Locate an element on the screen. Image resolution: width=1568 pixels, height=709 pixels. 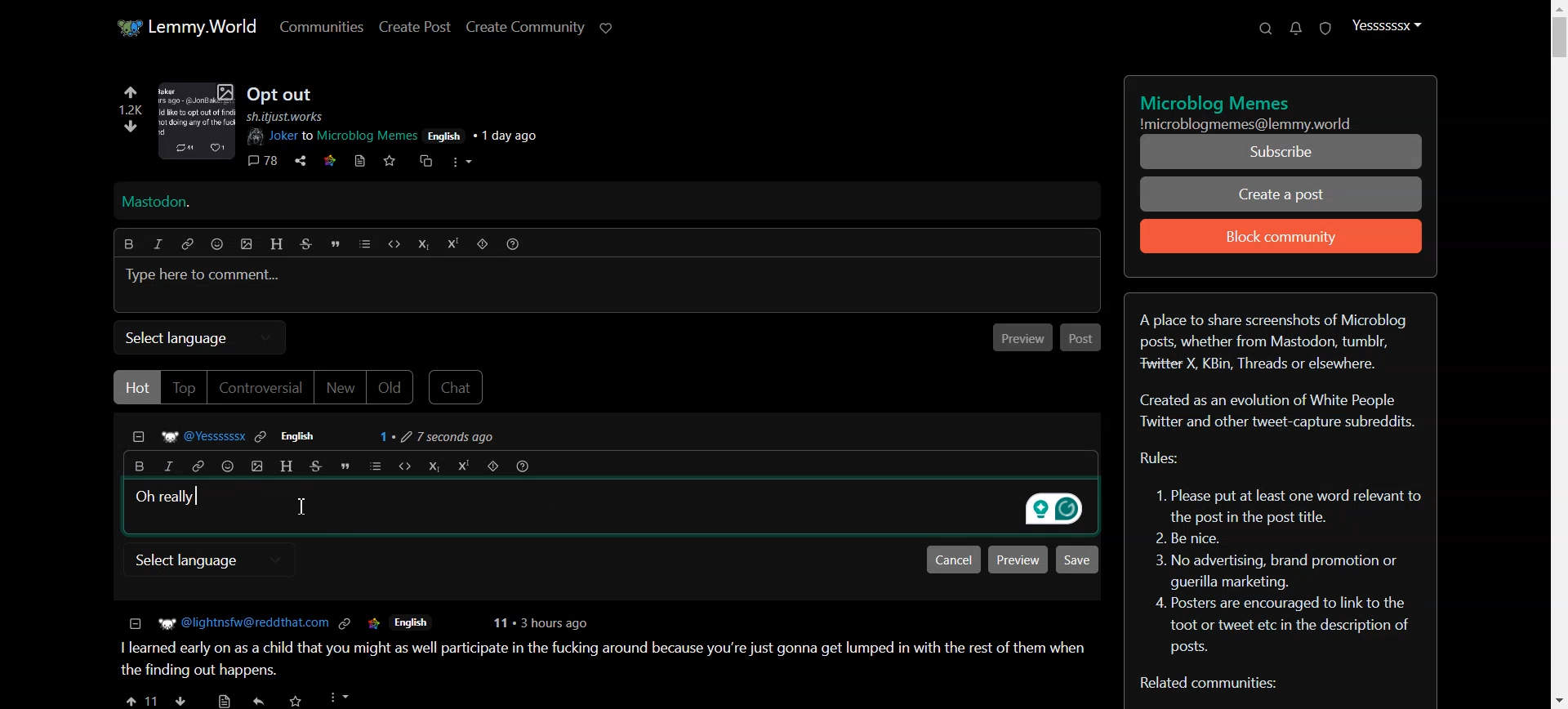
1.2k is located at coordinates (131, 109).